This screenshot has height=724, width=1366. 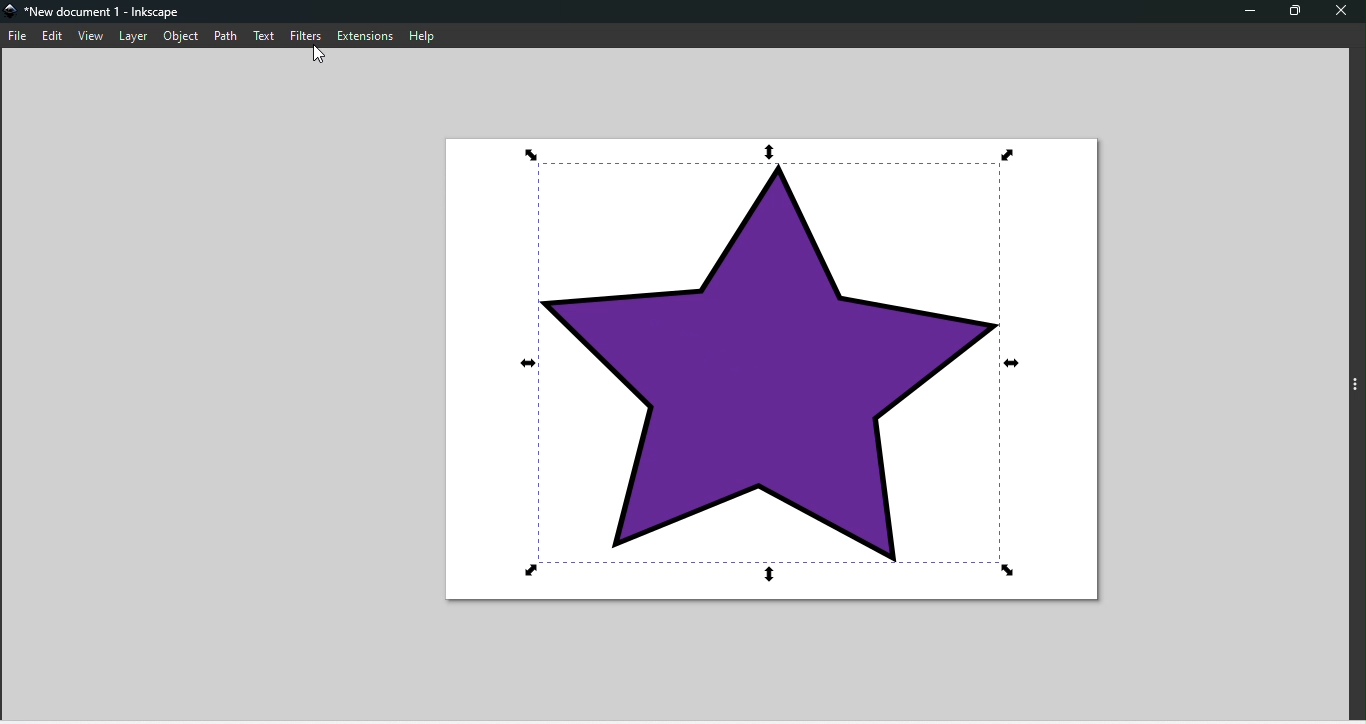 I want to click on Filters, so click(x=309, y=37).